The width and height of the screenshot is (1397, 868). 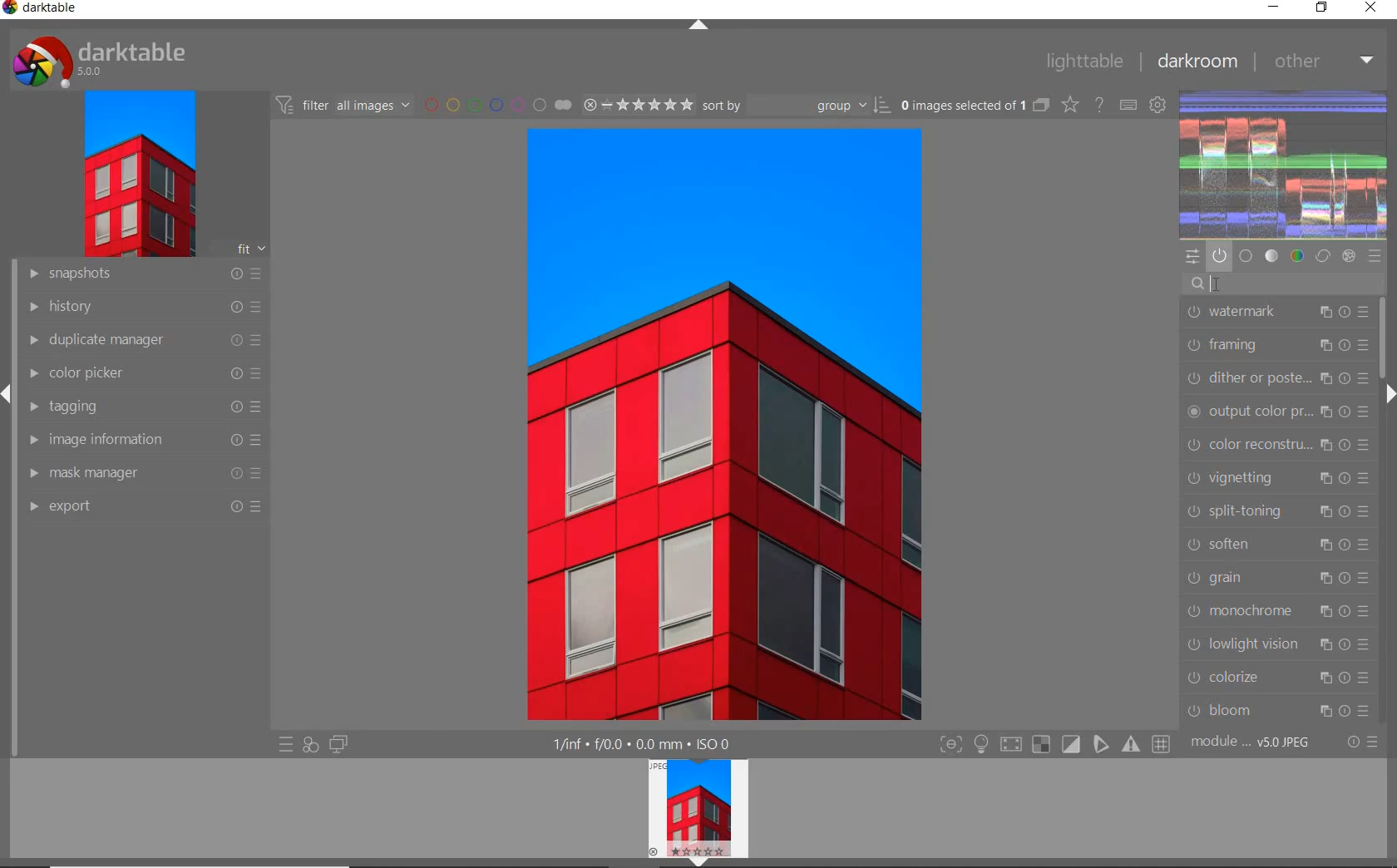 What do you see at coordinates (1219, 255) in the screenshot?
I see `show only active modules` at bounding box center [1219, 255].